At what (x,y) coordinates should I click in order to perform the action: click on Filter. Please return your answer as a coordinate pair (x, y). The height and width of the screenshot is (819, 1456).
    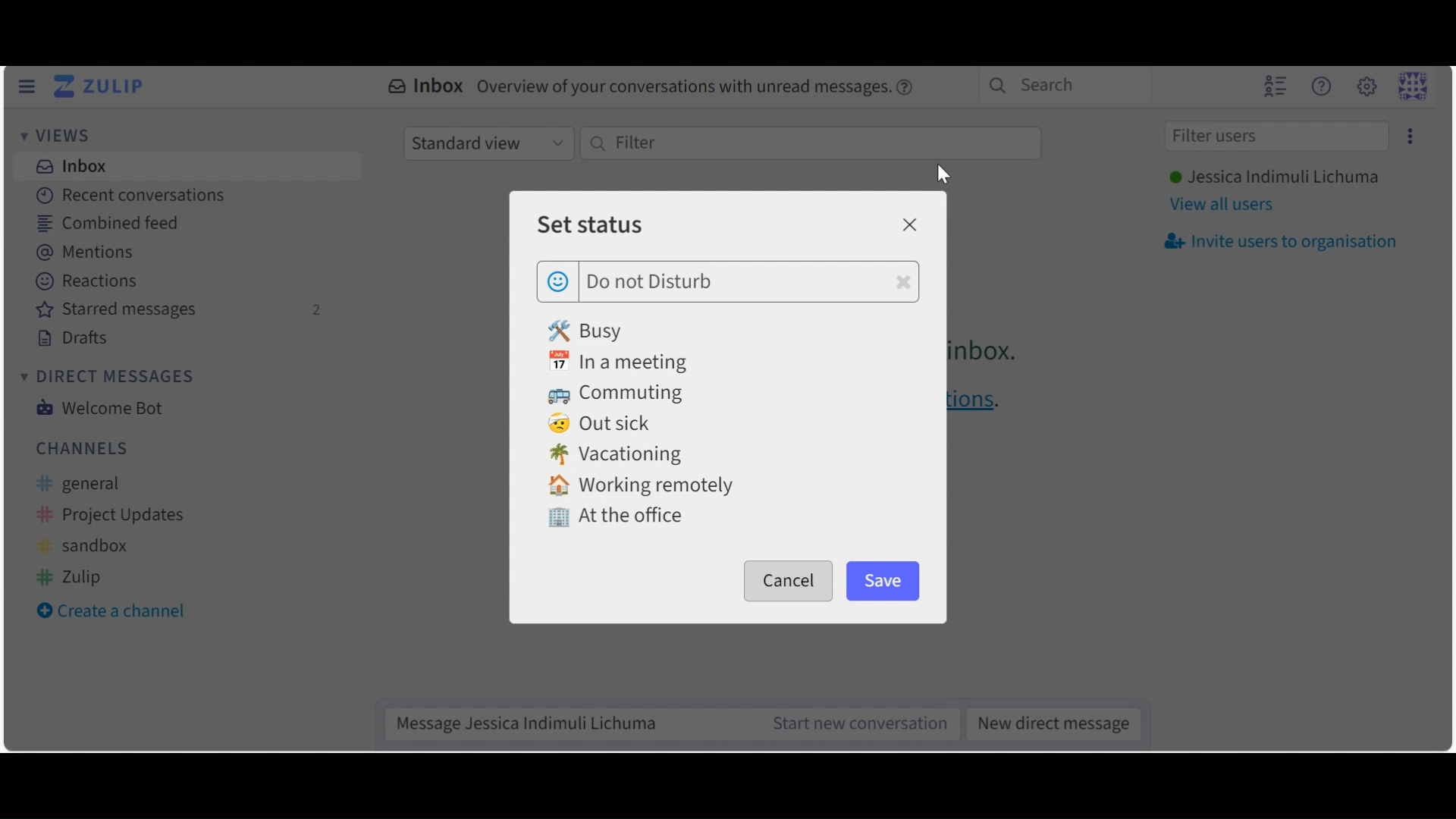
    Looking at the image, I should click on (809, 143).